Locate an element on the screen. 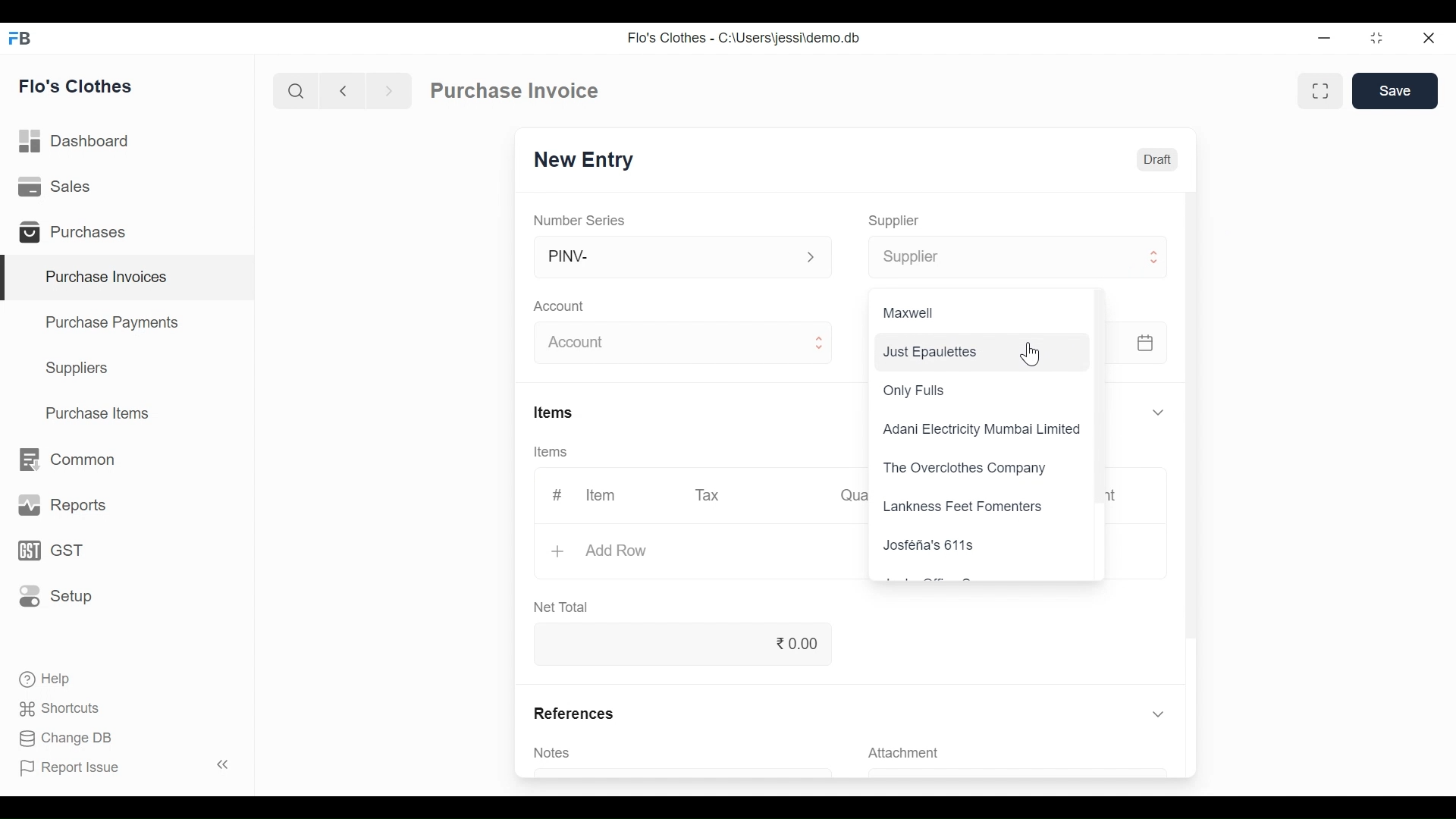 The height and width of the screenshot is (819, 1456). Draft is located at coordinates (1157, 158).